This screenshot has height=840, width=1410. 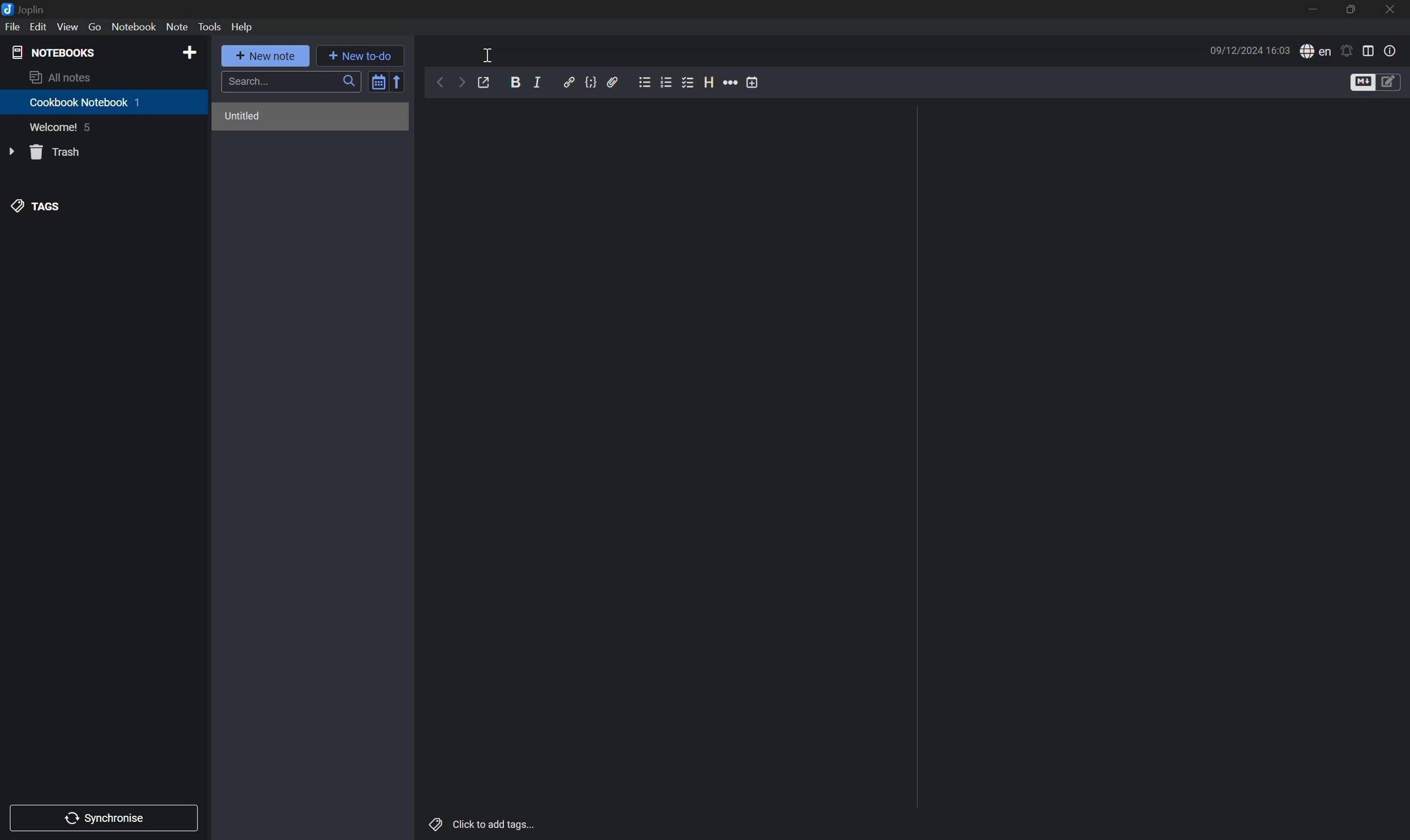 I want to click on Insert/edit link, so click(x=569, y=81).